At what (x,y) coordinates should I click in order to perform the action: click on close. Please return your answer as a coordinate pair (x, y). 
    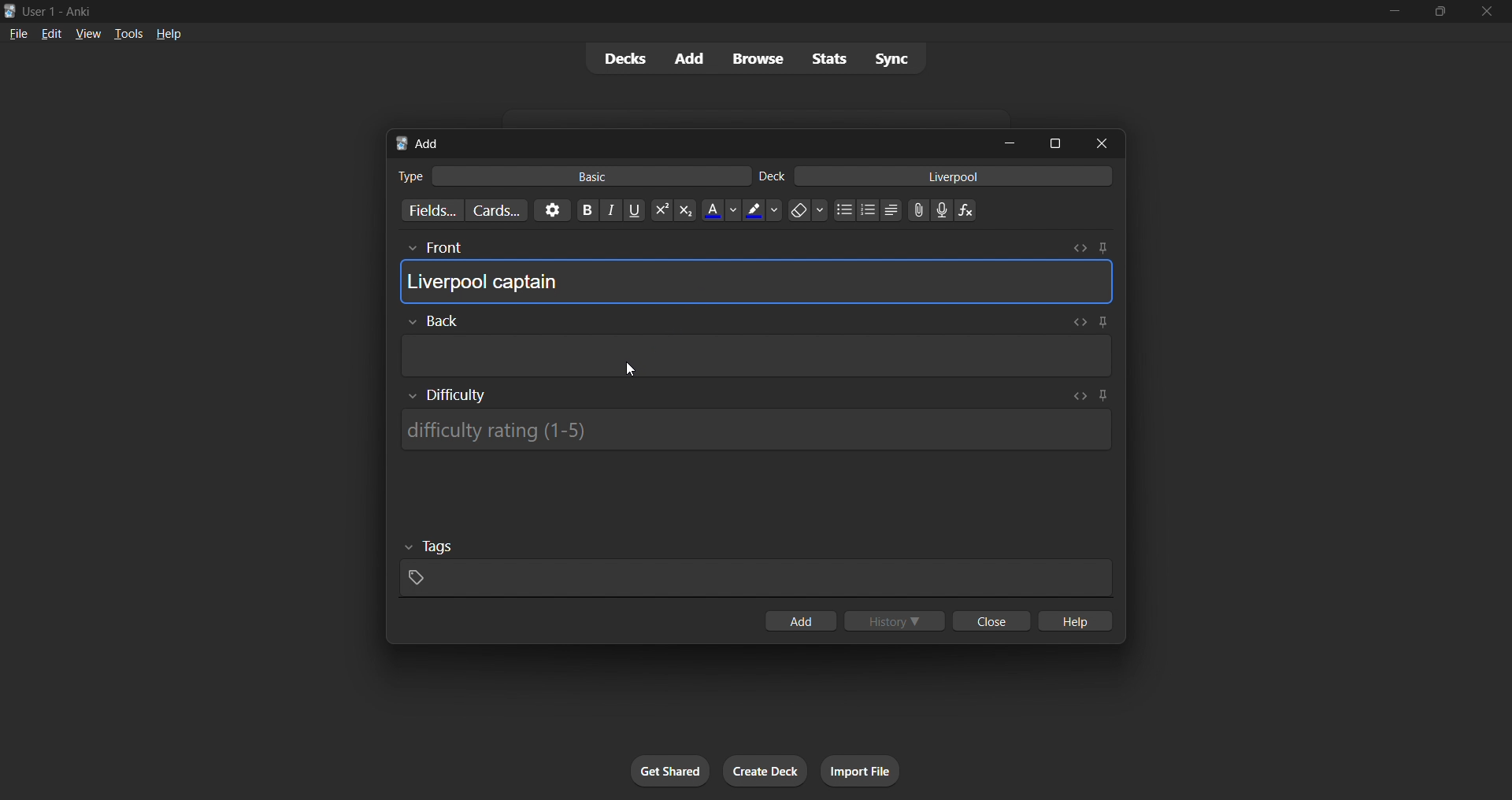
    Looking at the image, I should click on (991, 620).